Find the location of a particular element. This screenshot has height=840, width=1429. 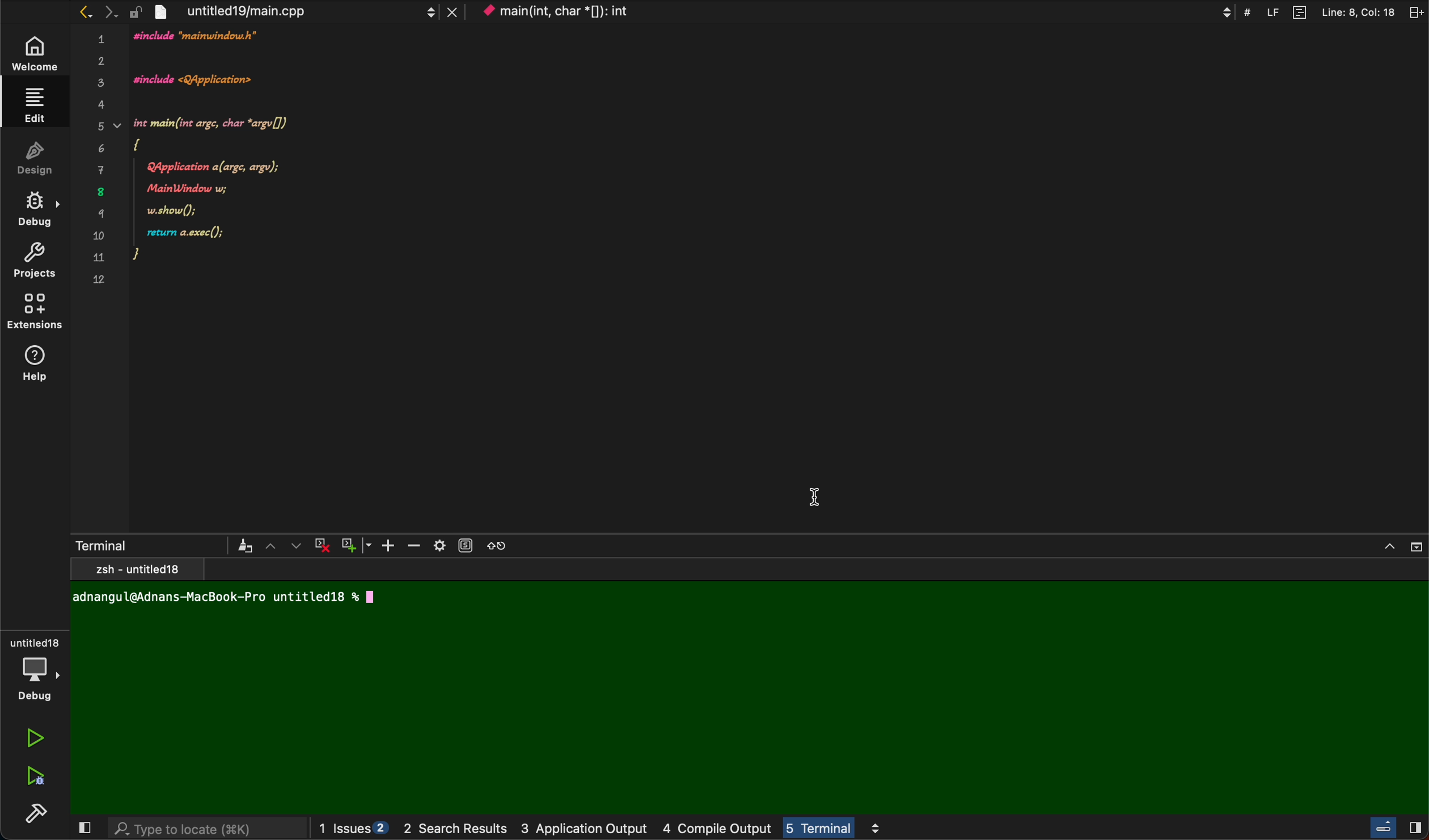

logs is located at coordinates (674, 829).